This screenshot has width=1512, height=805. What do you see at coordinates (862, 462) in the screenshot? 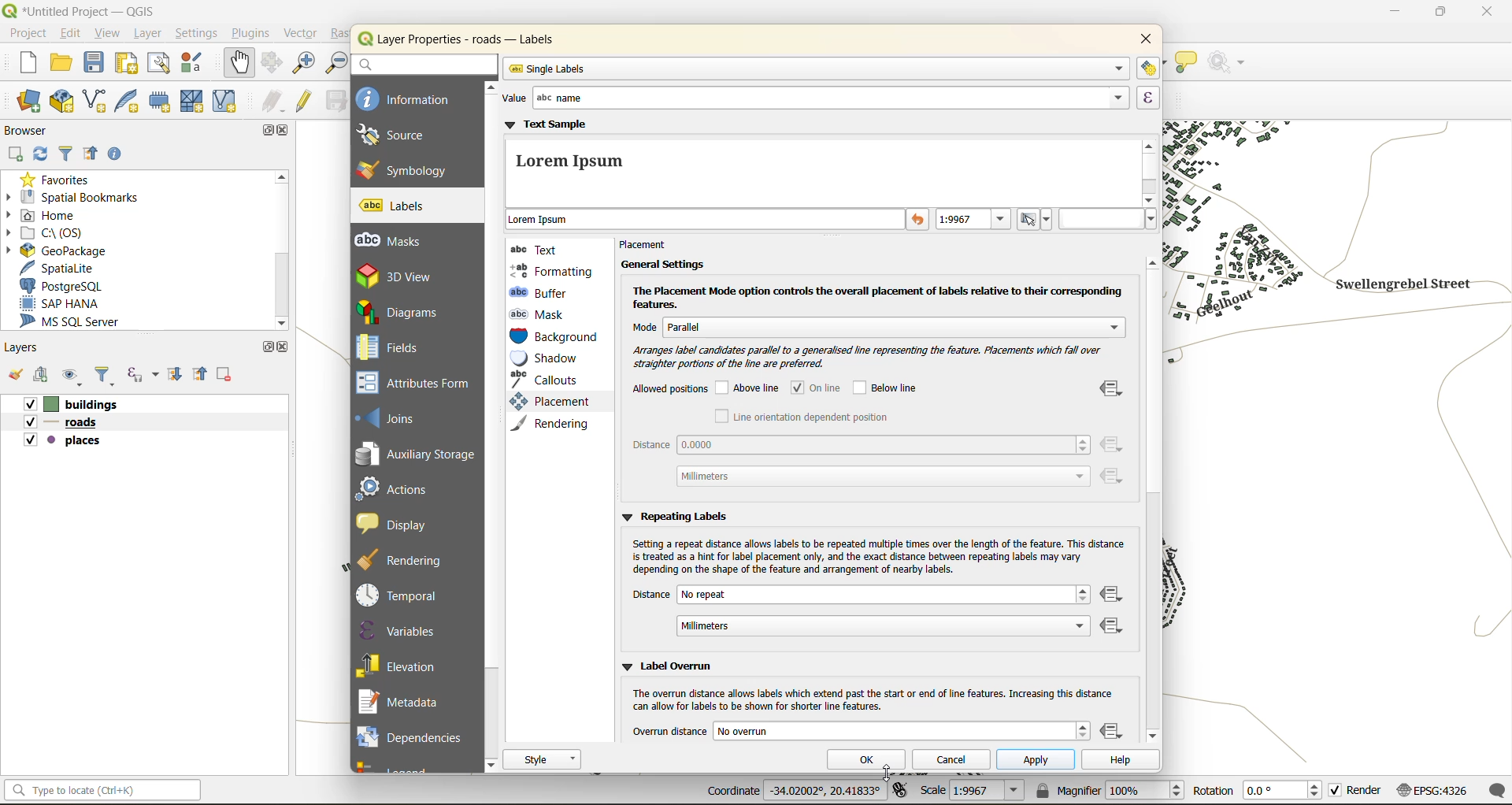
I see `distance` at bounding box center [862, 462].